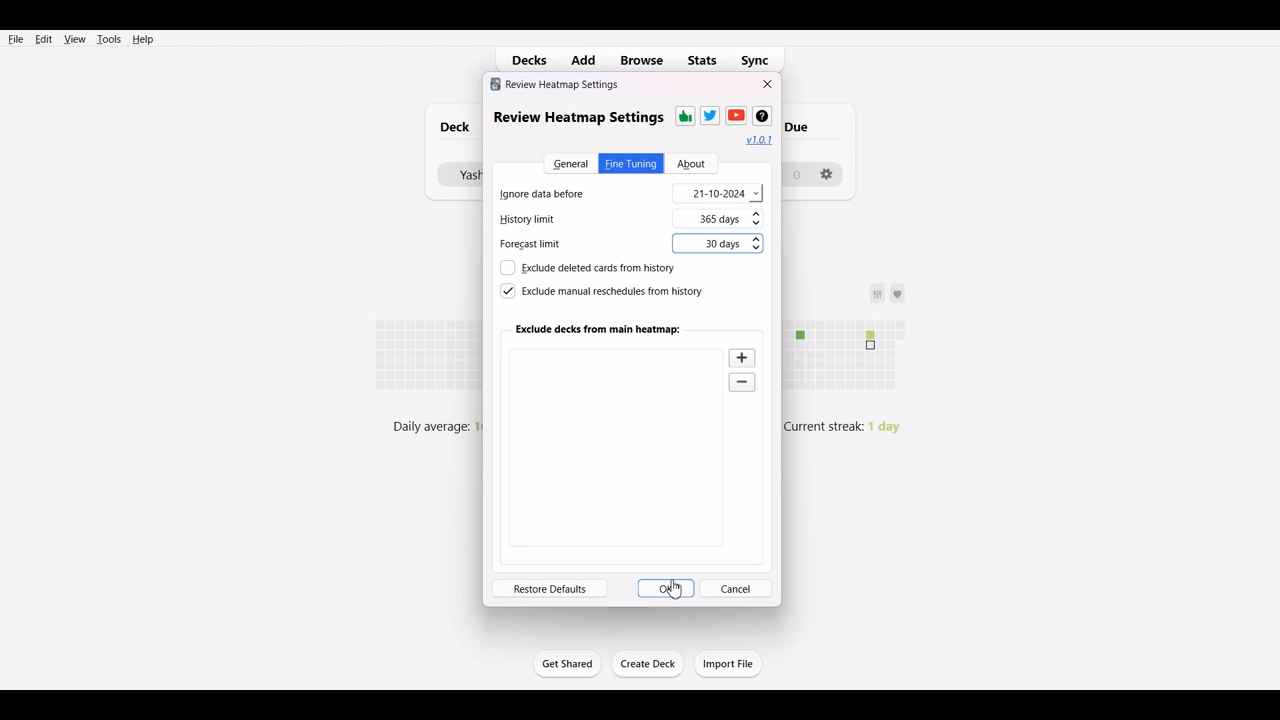  What do you see at coordinates (108, 39) in the screenshot?
I see `Tools` at bounding box center [108, 39].